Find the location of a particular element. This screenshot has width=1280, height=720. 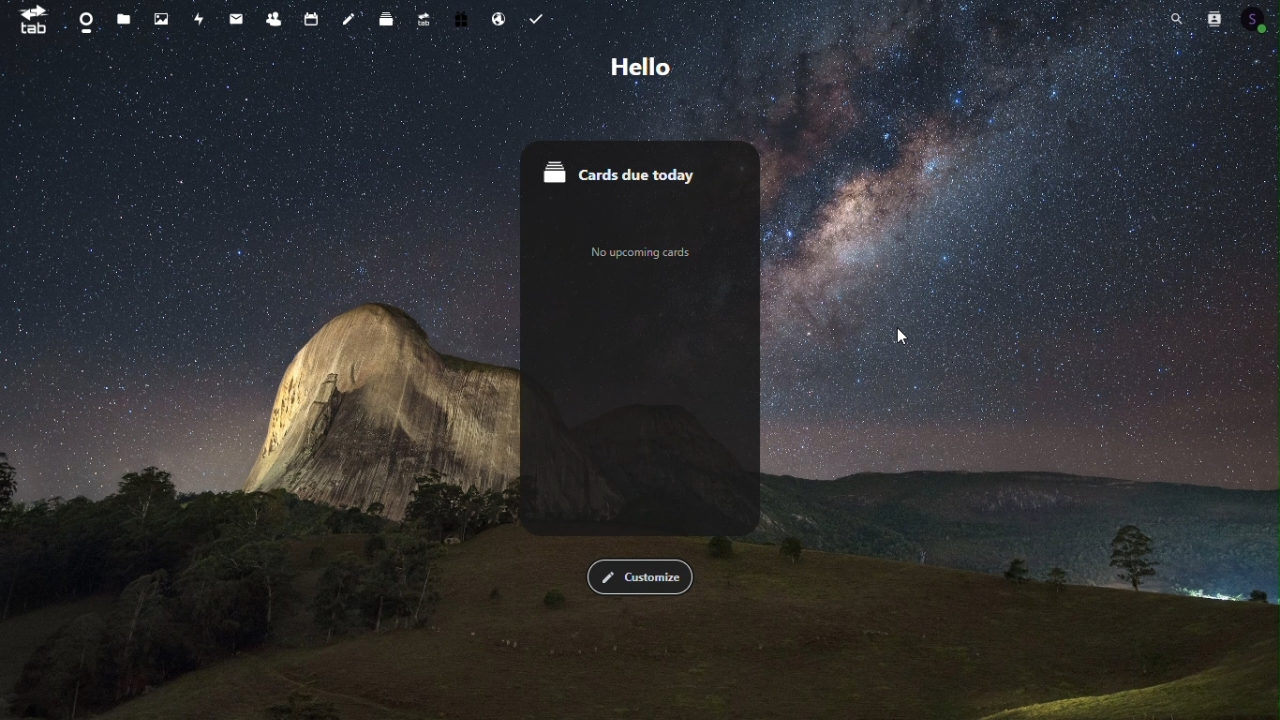

Contacts is located at coordinates (1216, 20).